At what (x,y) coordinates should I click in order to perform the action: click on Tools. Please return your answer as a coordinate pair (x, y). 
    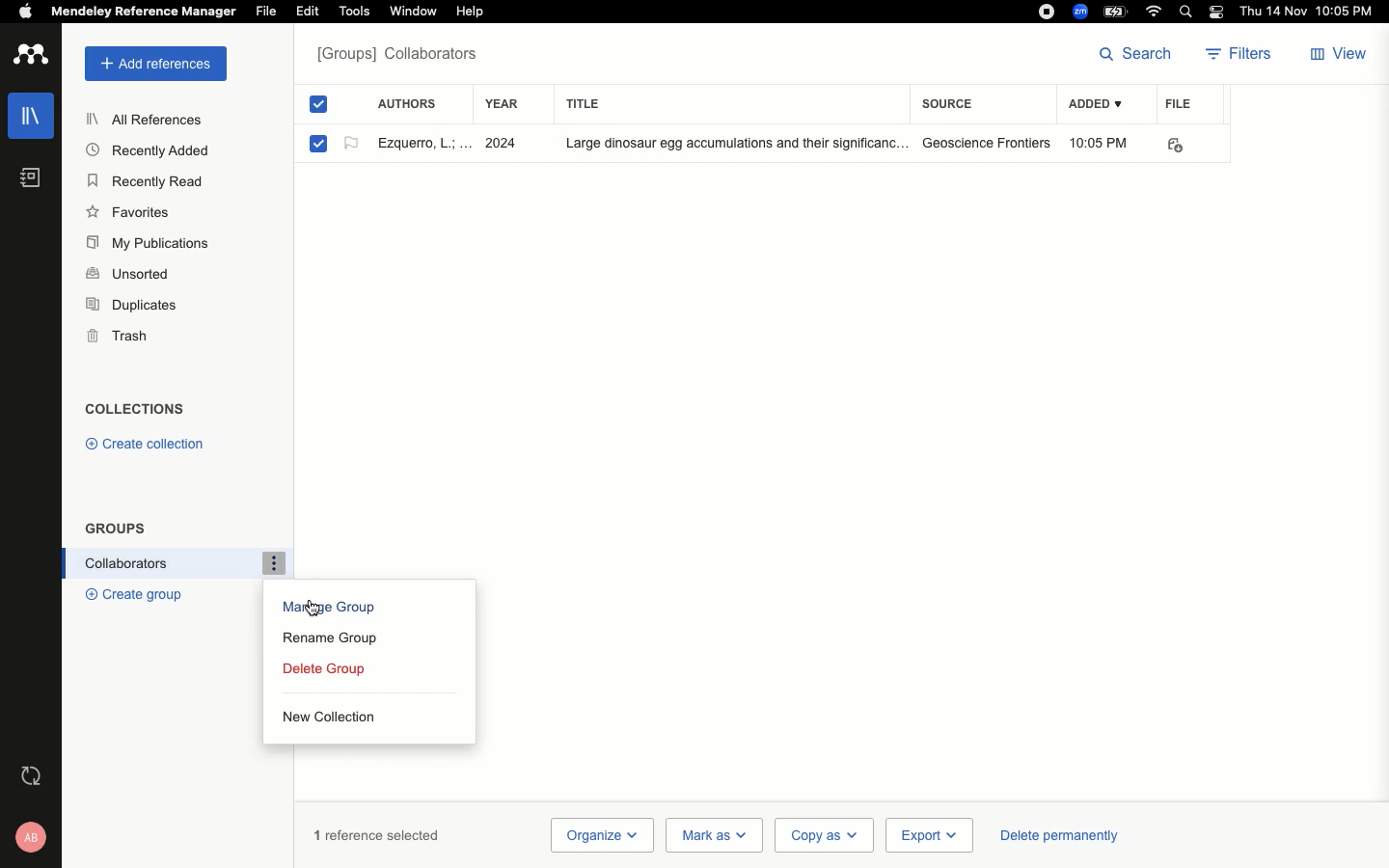
    Looking at the image, I should click on (355, 12).